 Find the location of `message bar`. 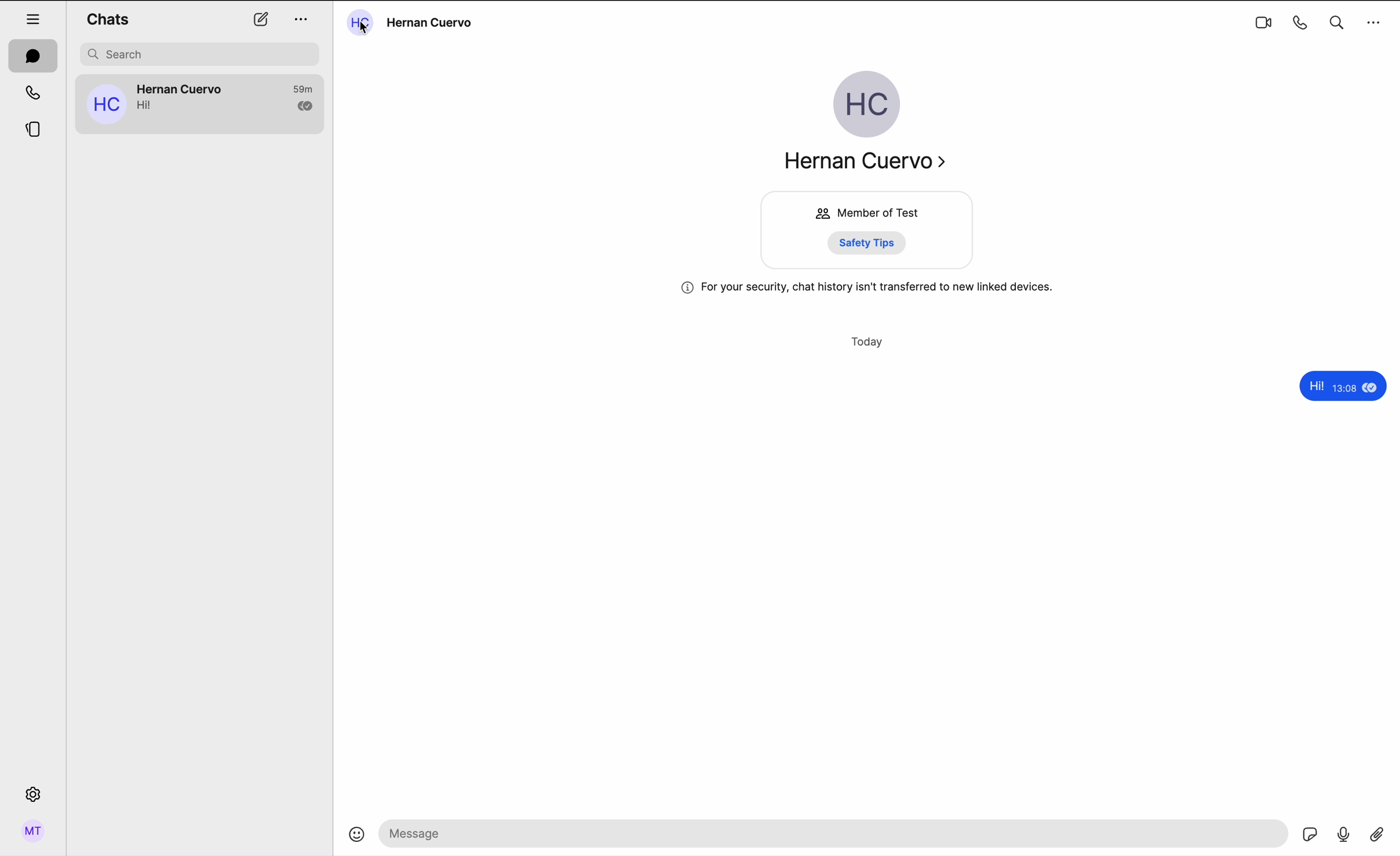

message bar is located at coordinates (834, 836).